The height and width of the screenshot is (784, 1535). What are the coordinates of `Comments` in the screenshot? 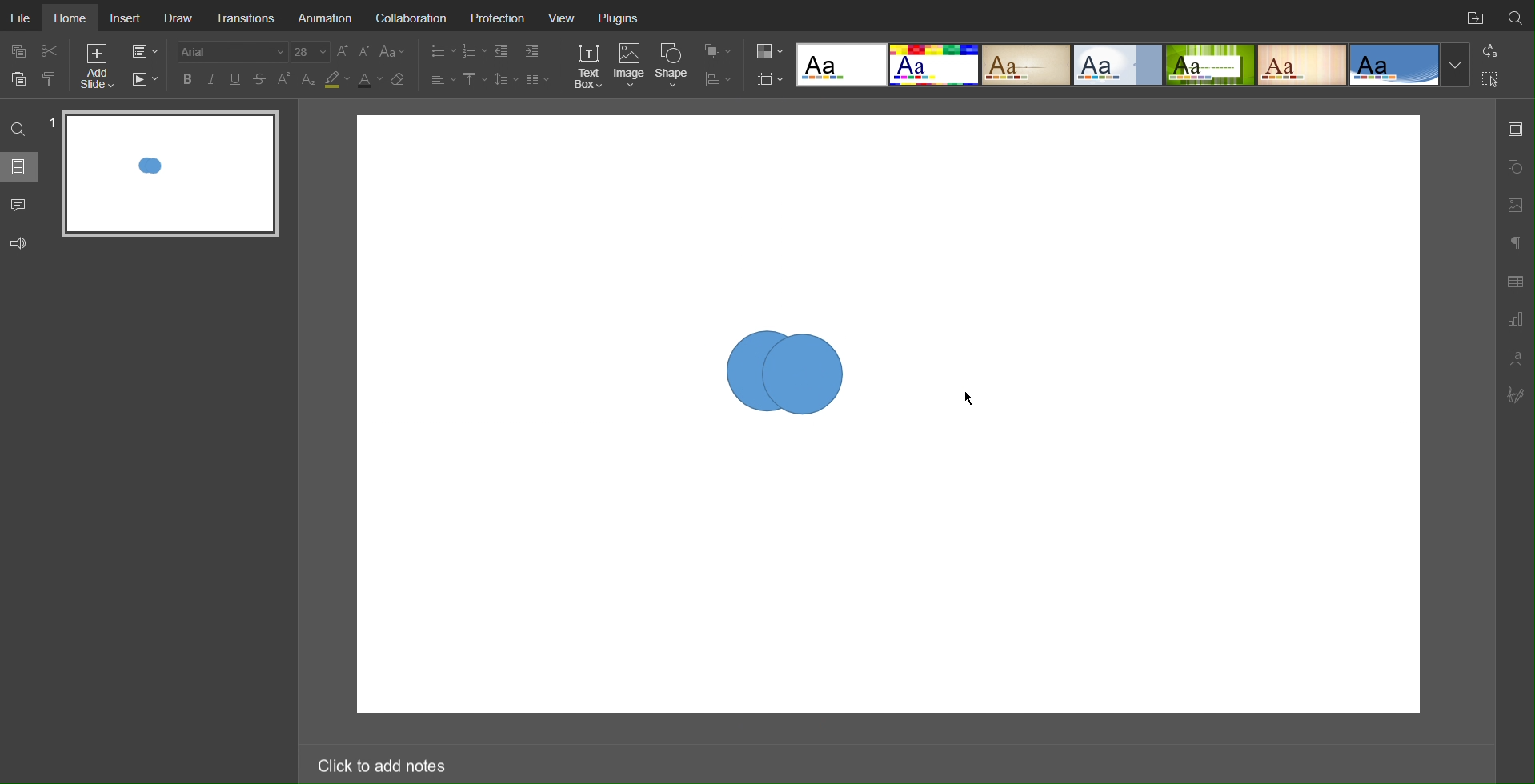 It's located at (20, 205).